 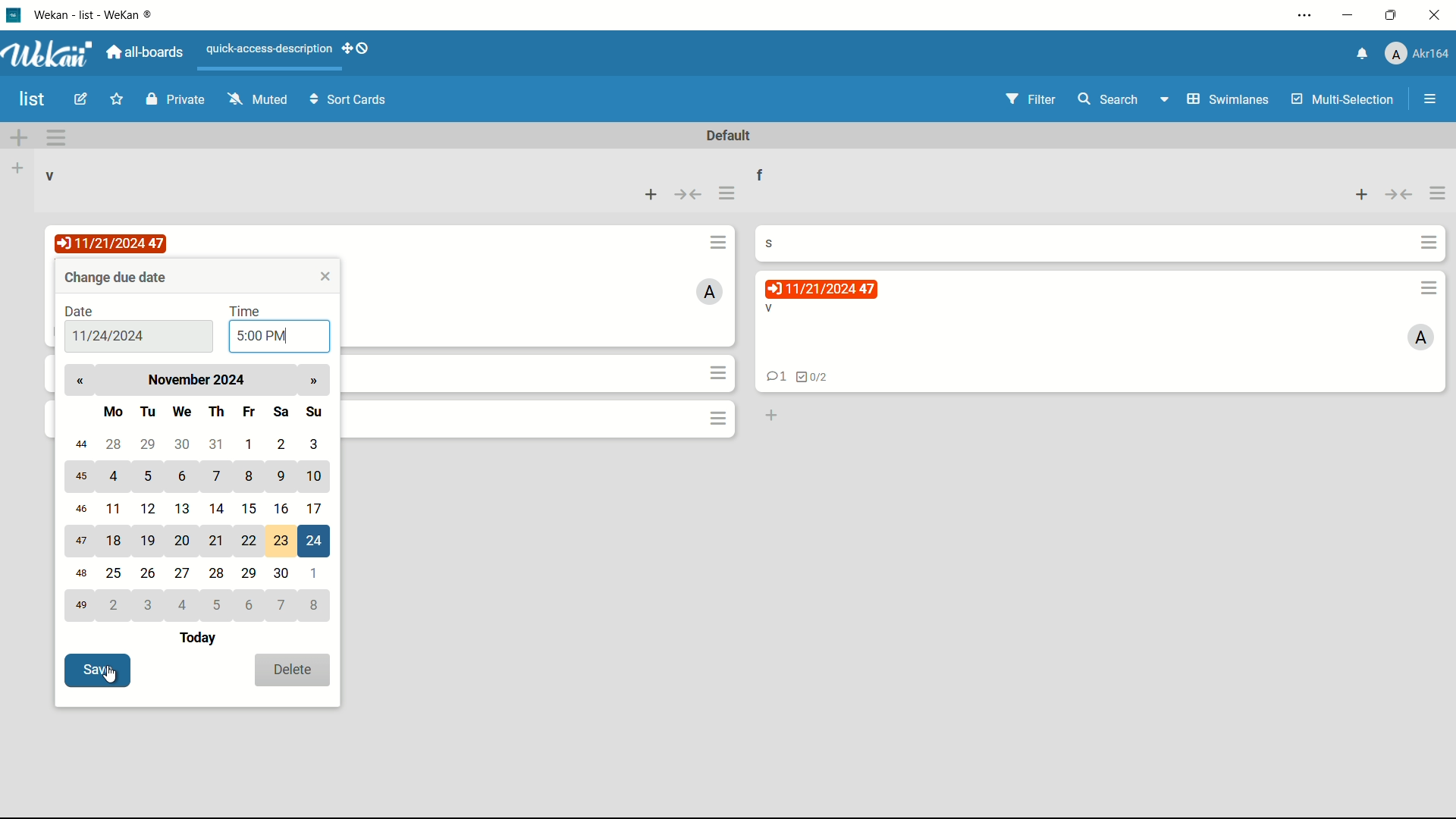 What do you see at coordinates (184, 539) in the screenshot?
I see `20` at bounding box center [184, 539].